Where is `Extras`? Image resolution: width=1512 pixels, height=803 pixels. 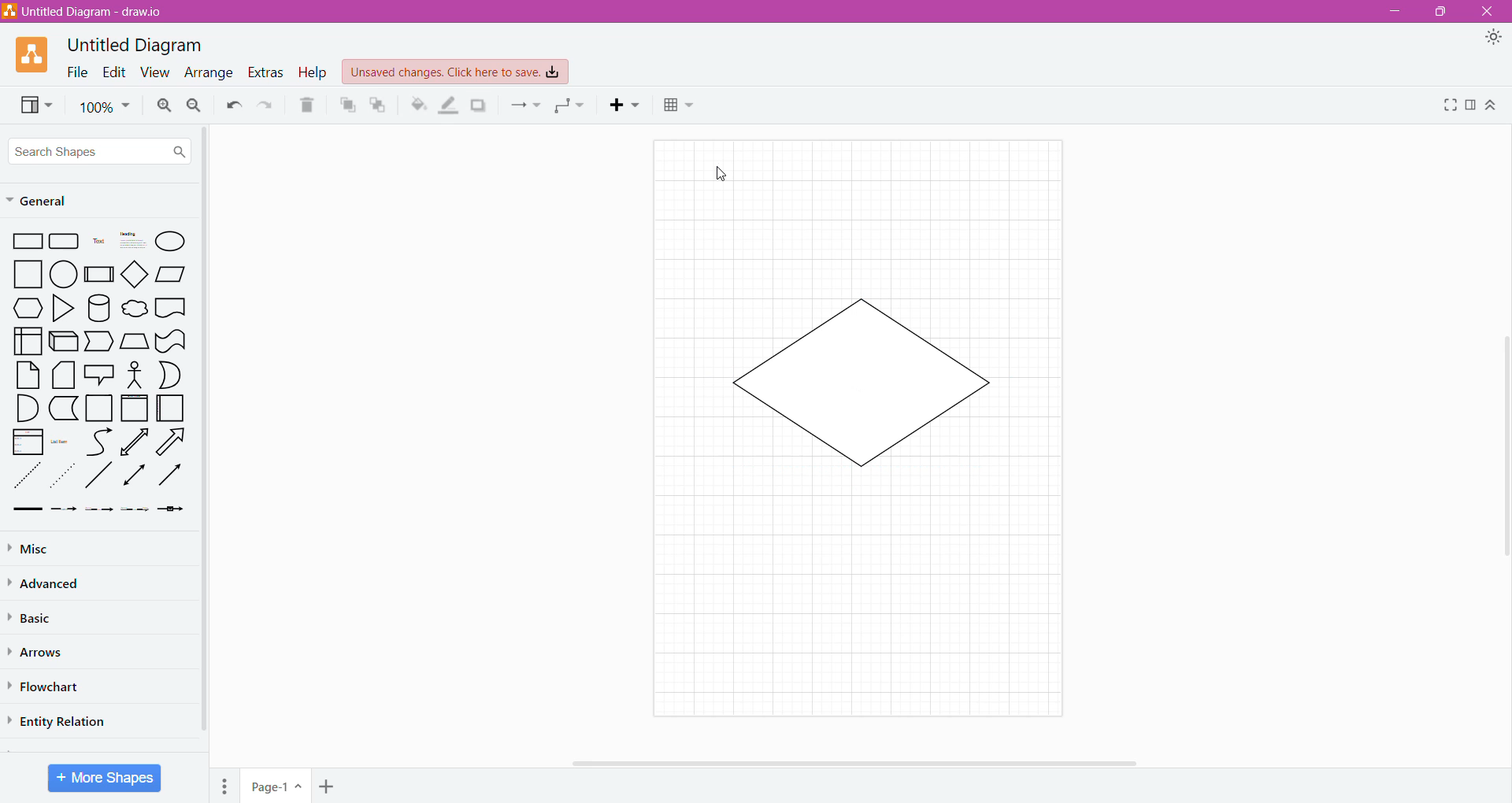
Extras is located at coordinates (265, 72).